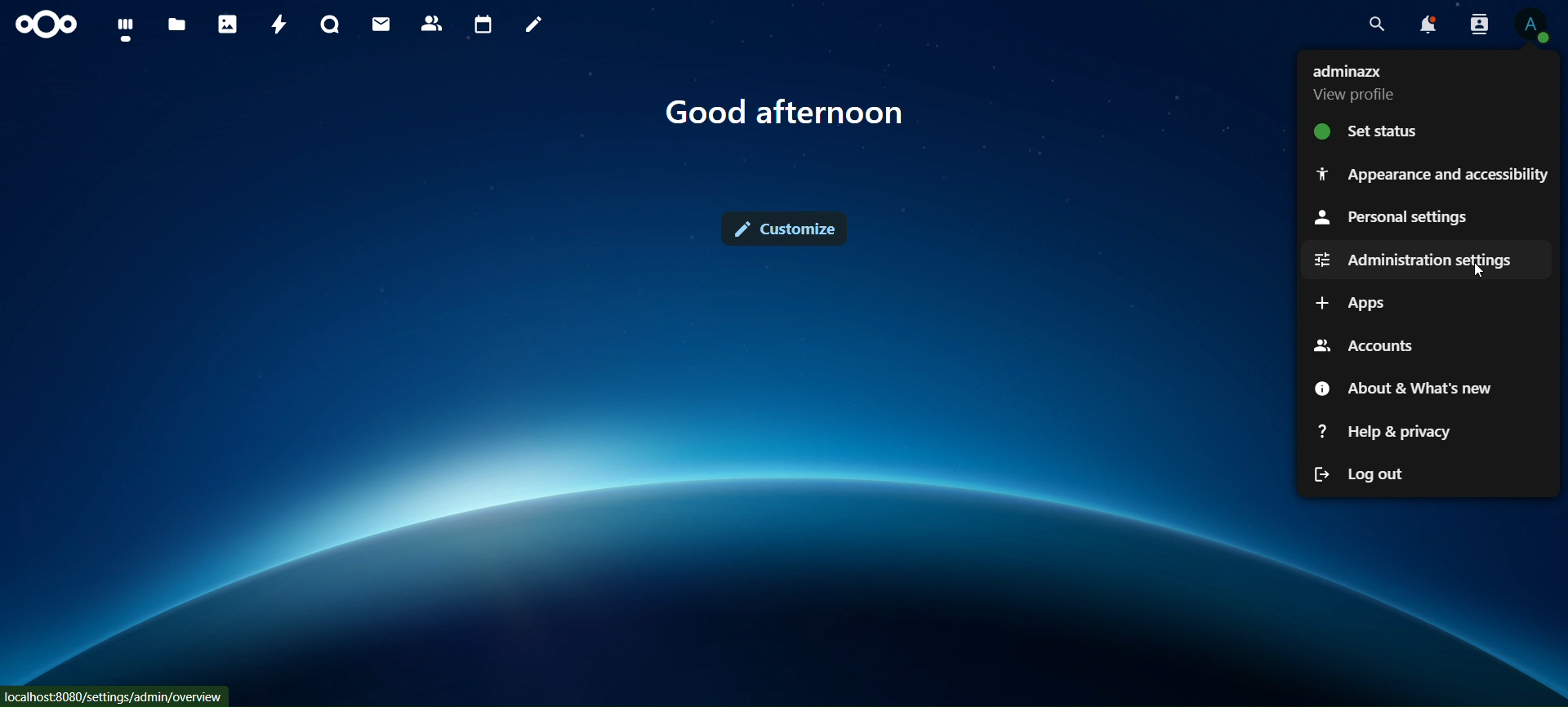 The width and height of the screenshot is (1568, 707). I want to click on view profile, so click(1361, 82).